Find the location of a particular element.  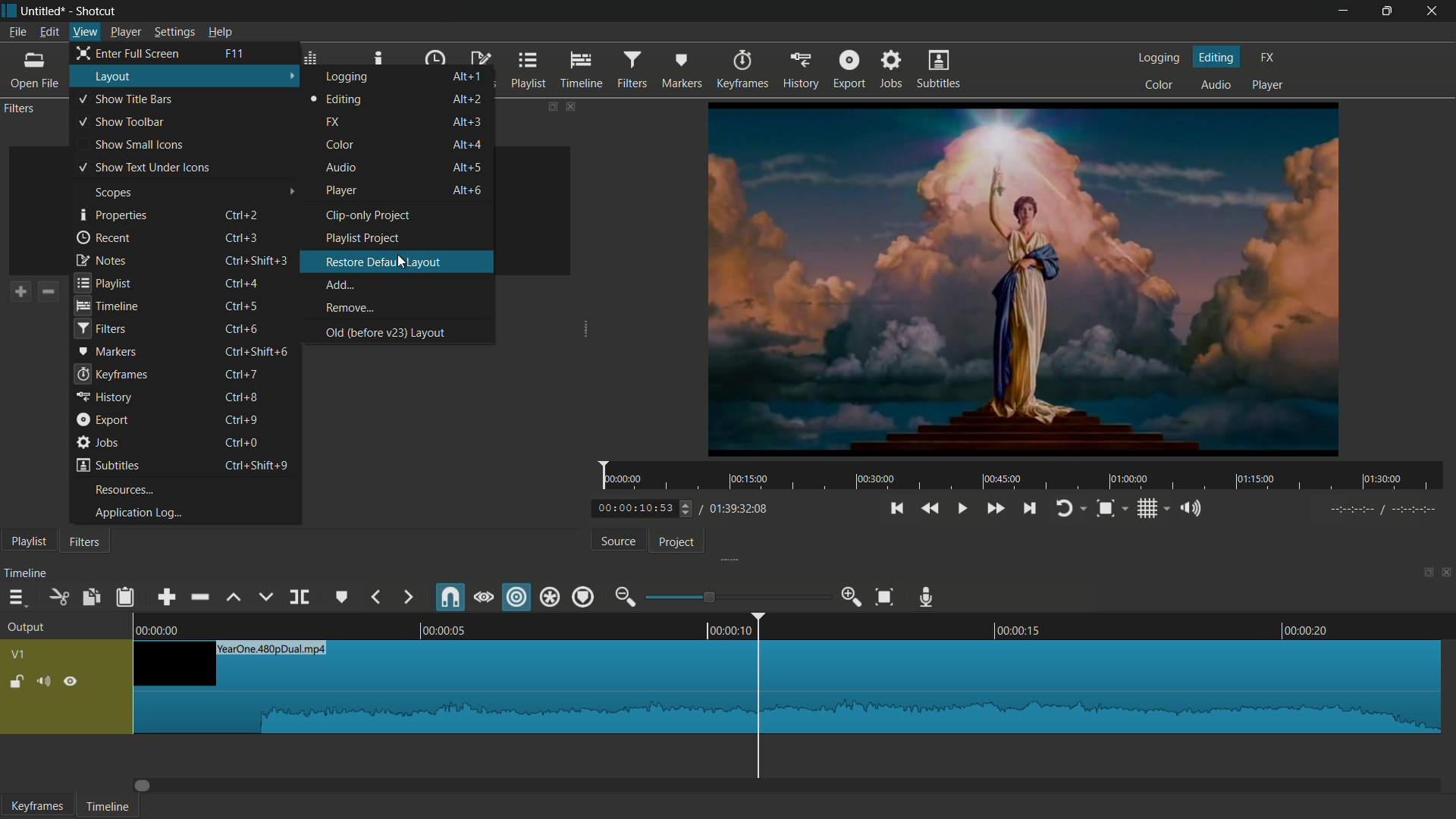

ripple markers is located at coordinates (584, 596).